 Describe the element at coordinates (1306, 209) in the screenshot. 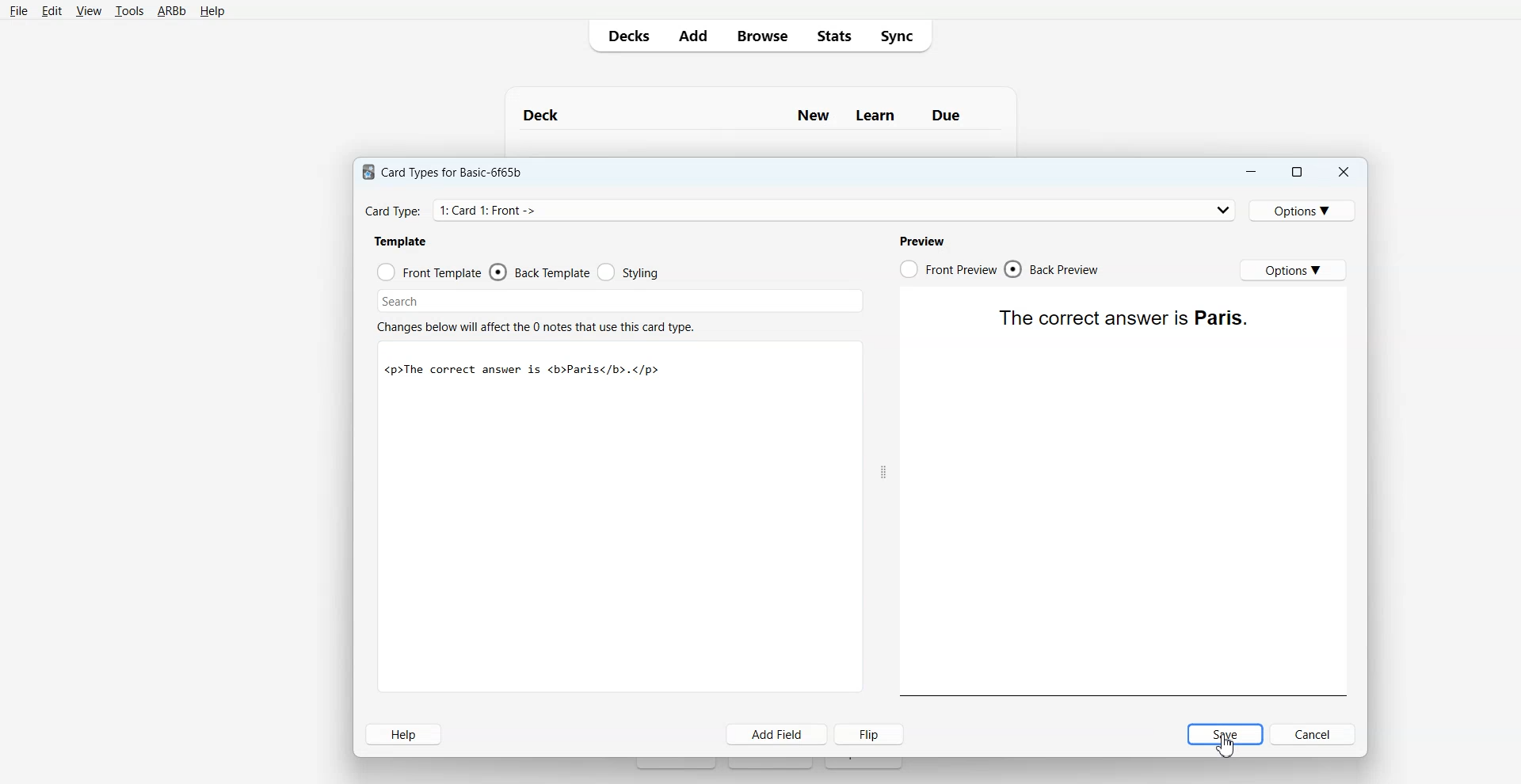

I see `Options` at that location.